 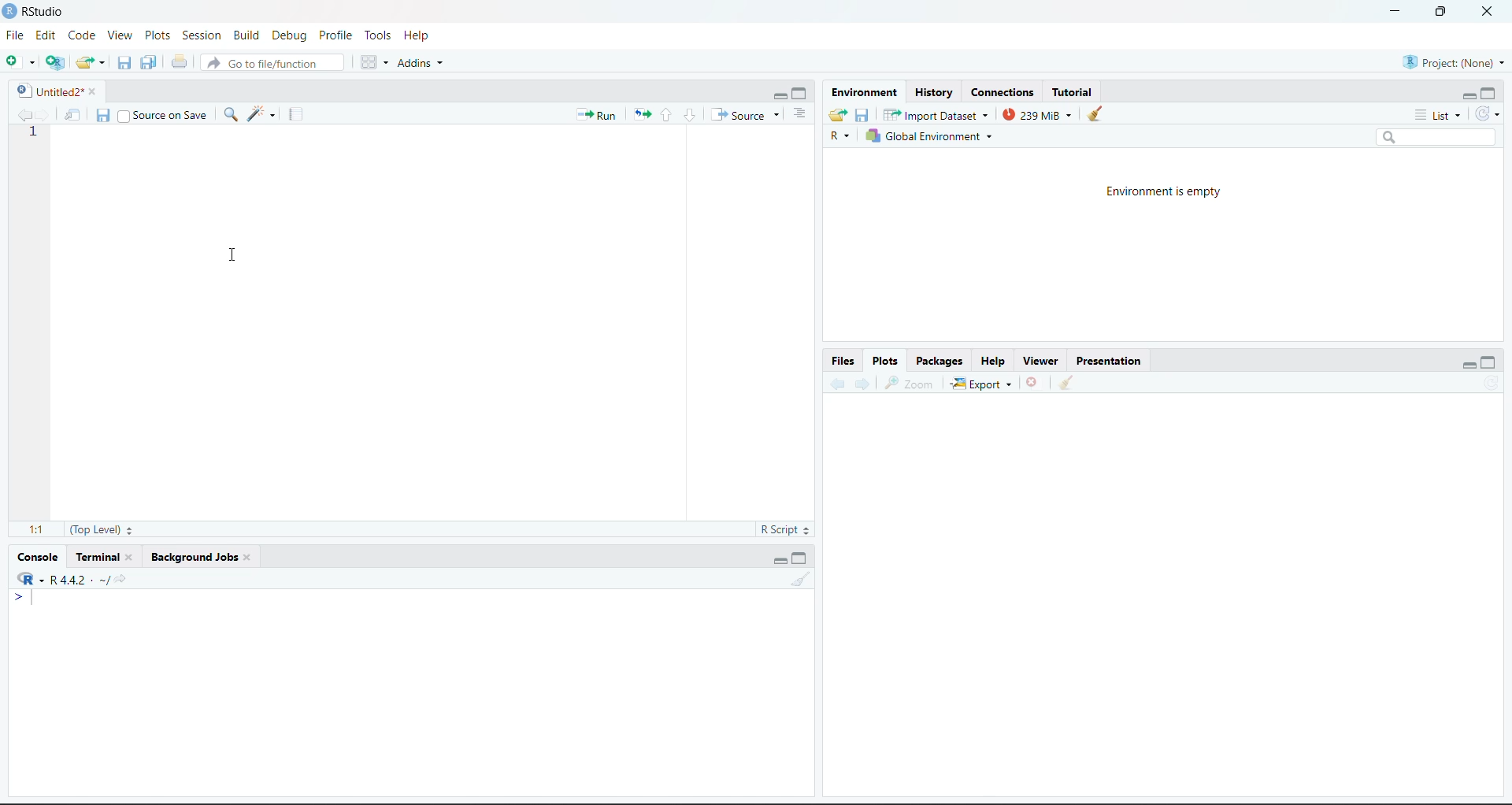 What do you see at coordinates (234, 252) in the screenshot?
I see `Cursor` at bounding box center [234, 252].